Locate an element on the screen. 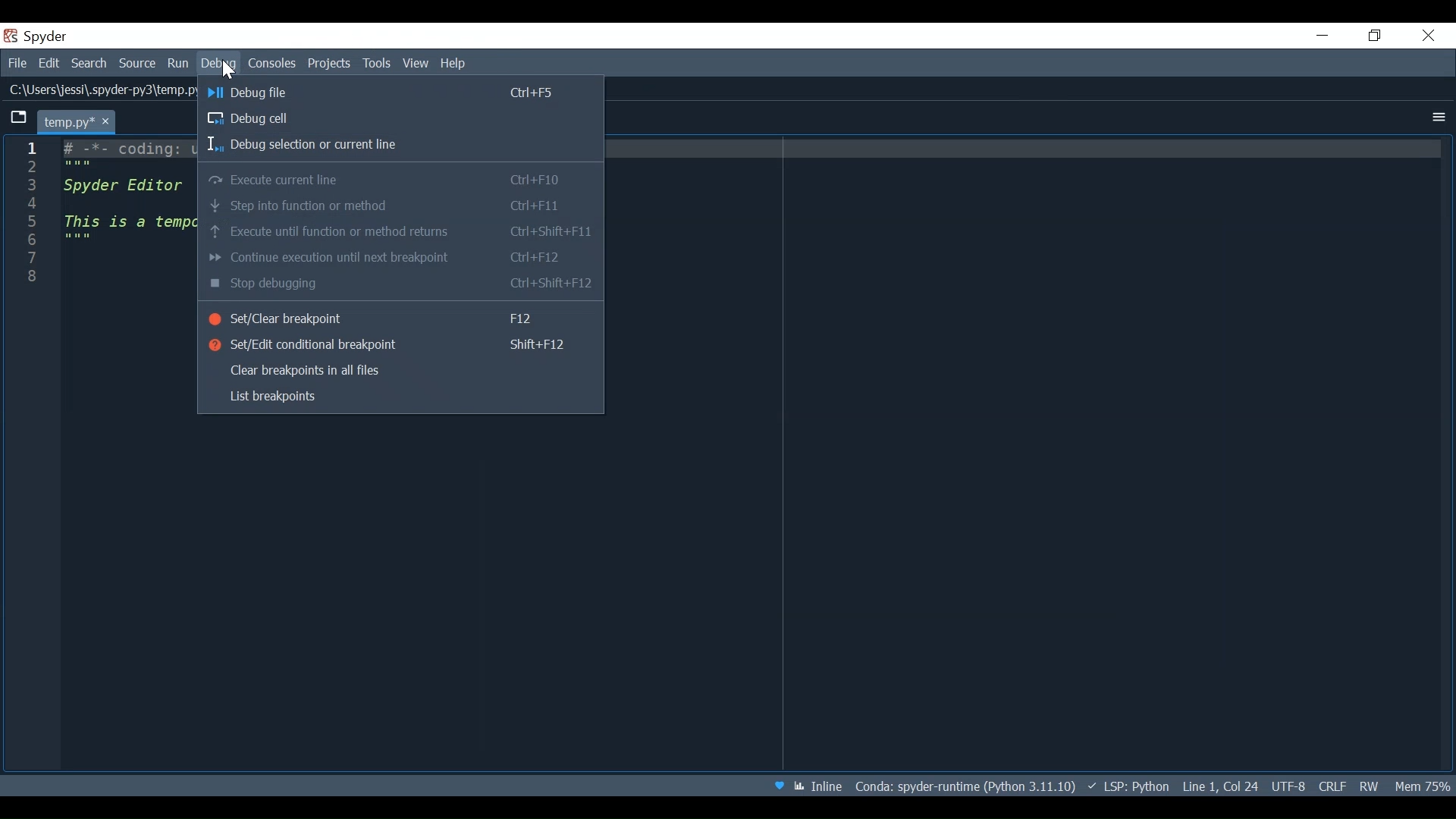 This screenshot has height=819, width=1456. File EQL Status is located at coordinates (1334, 786).